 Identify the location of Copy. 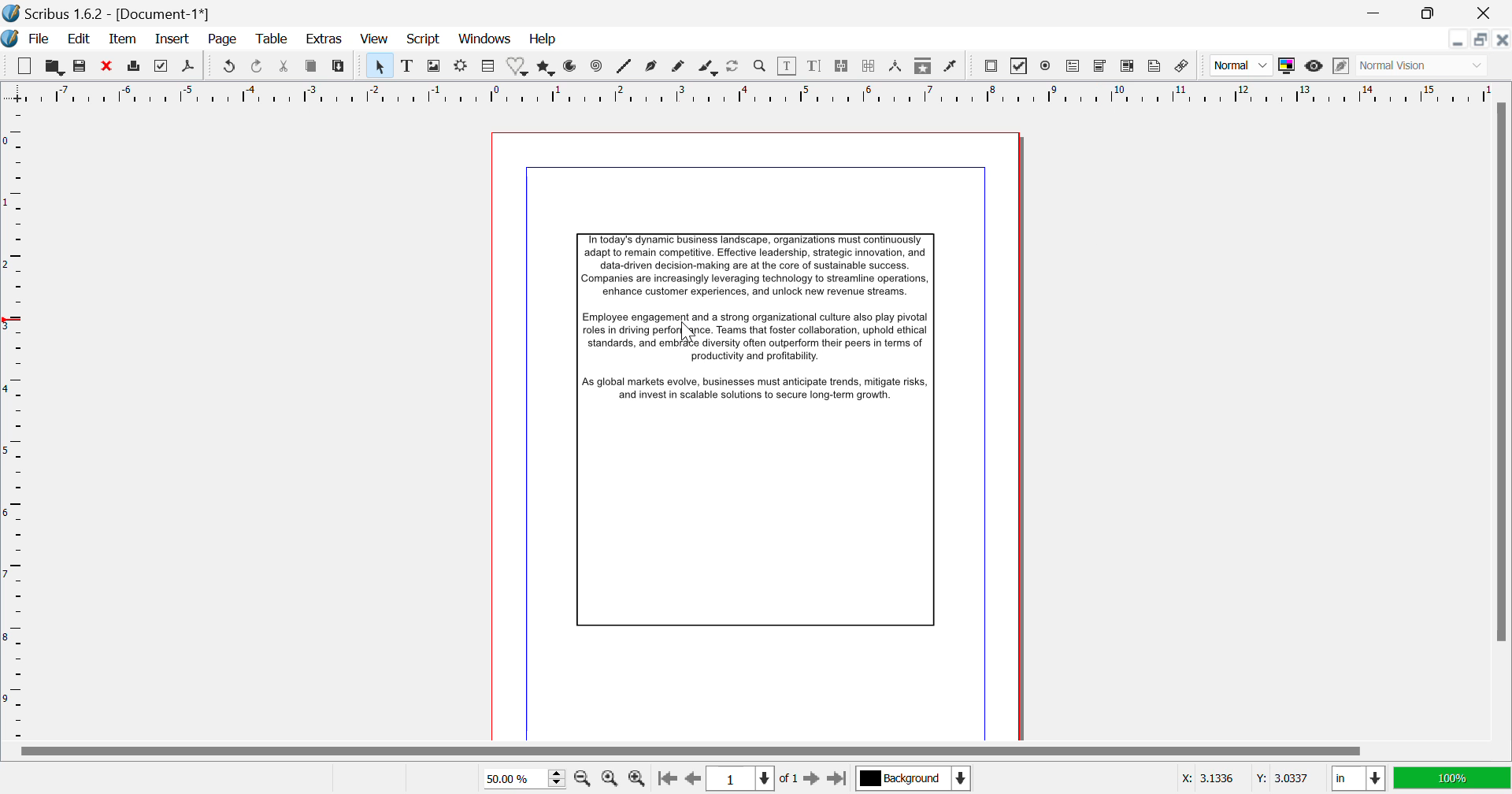
(313, 66).